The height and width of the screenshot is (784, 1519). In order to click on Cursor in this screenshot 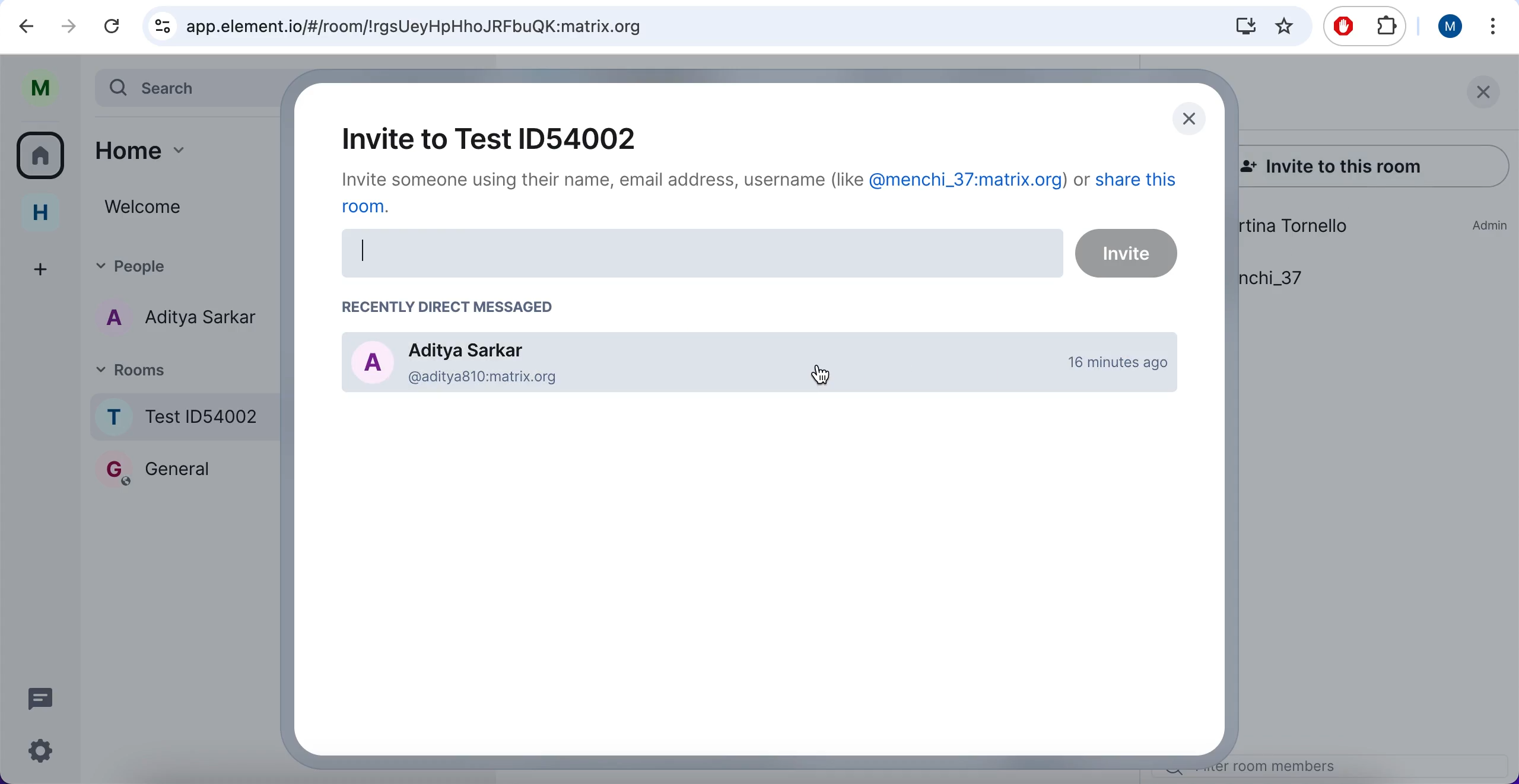, I will do `click(820, 372)`.